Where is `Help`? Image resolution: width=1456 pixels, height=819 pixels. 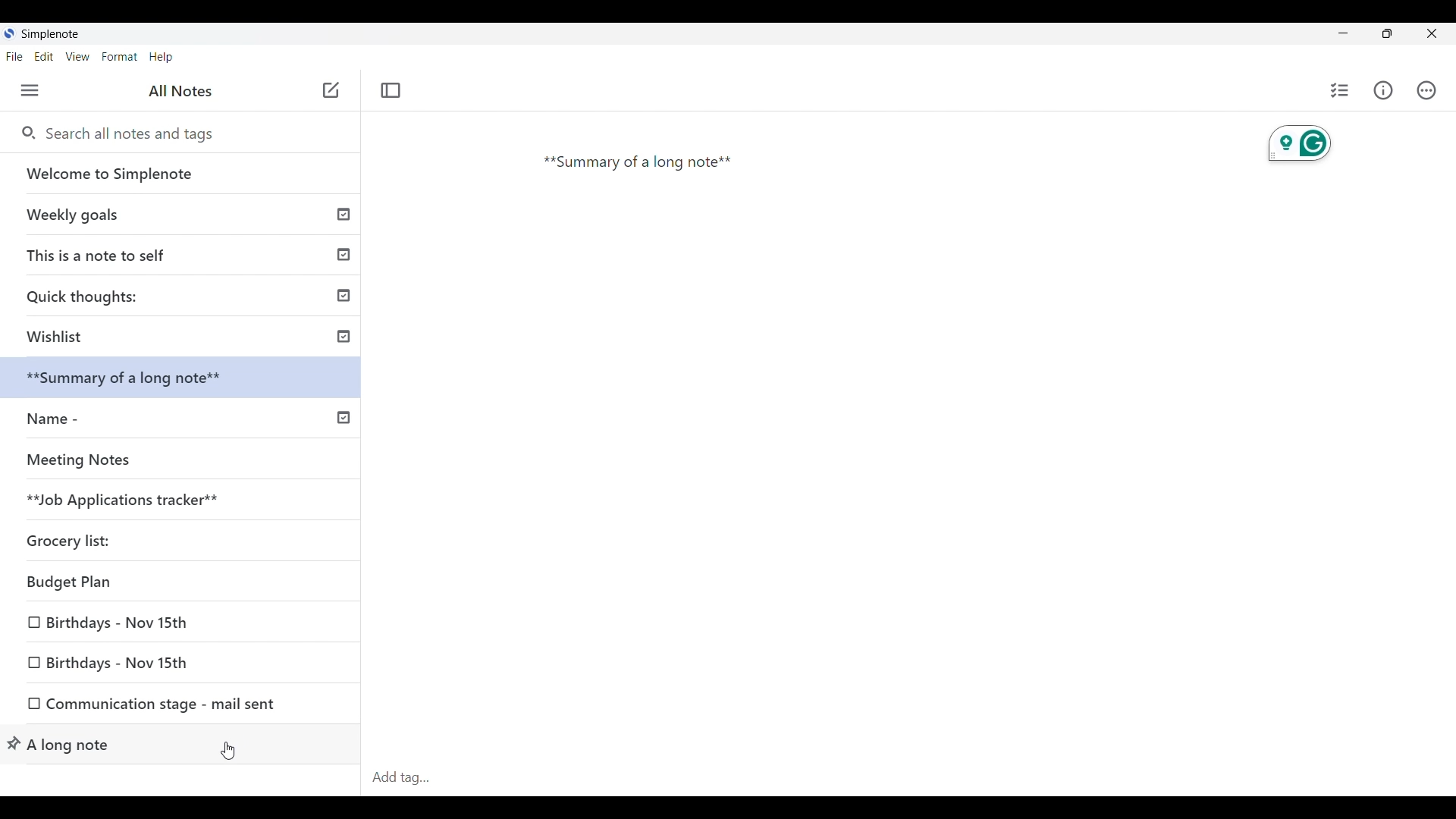 Help is located at coordinates (162, 58).